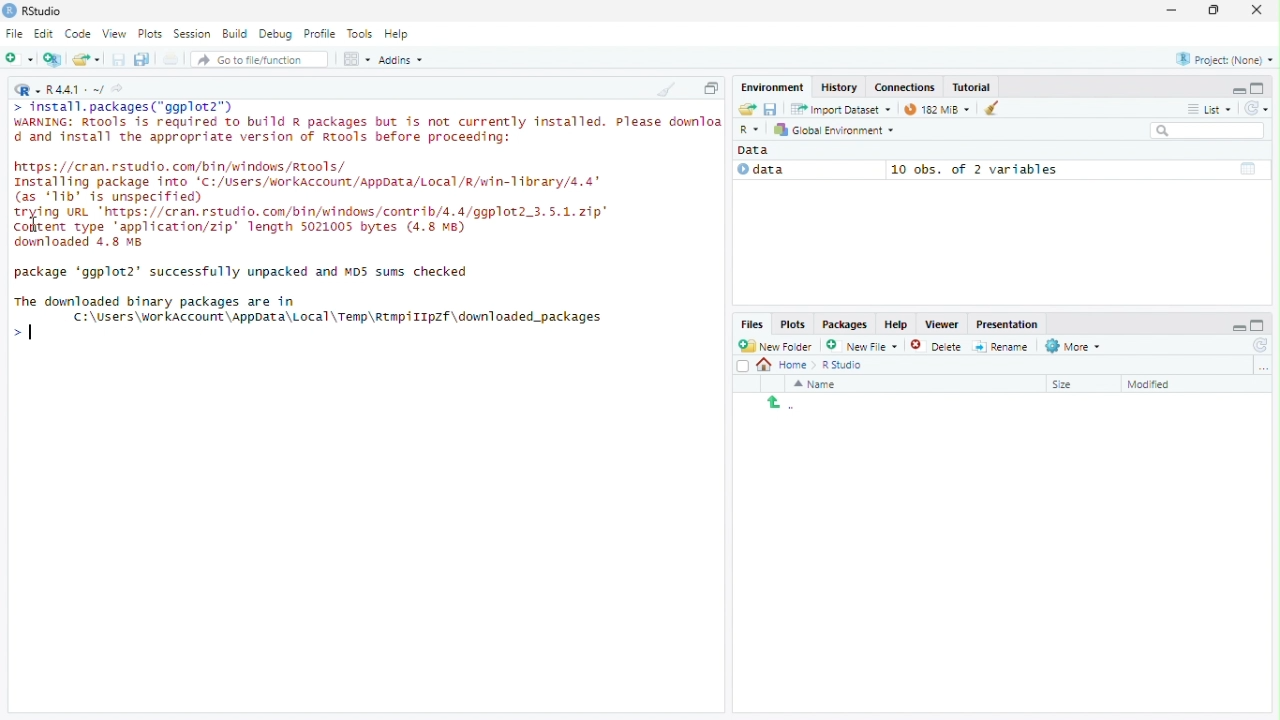  I want to click on 10 obs, of 2 variables, so click(1077, 169).